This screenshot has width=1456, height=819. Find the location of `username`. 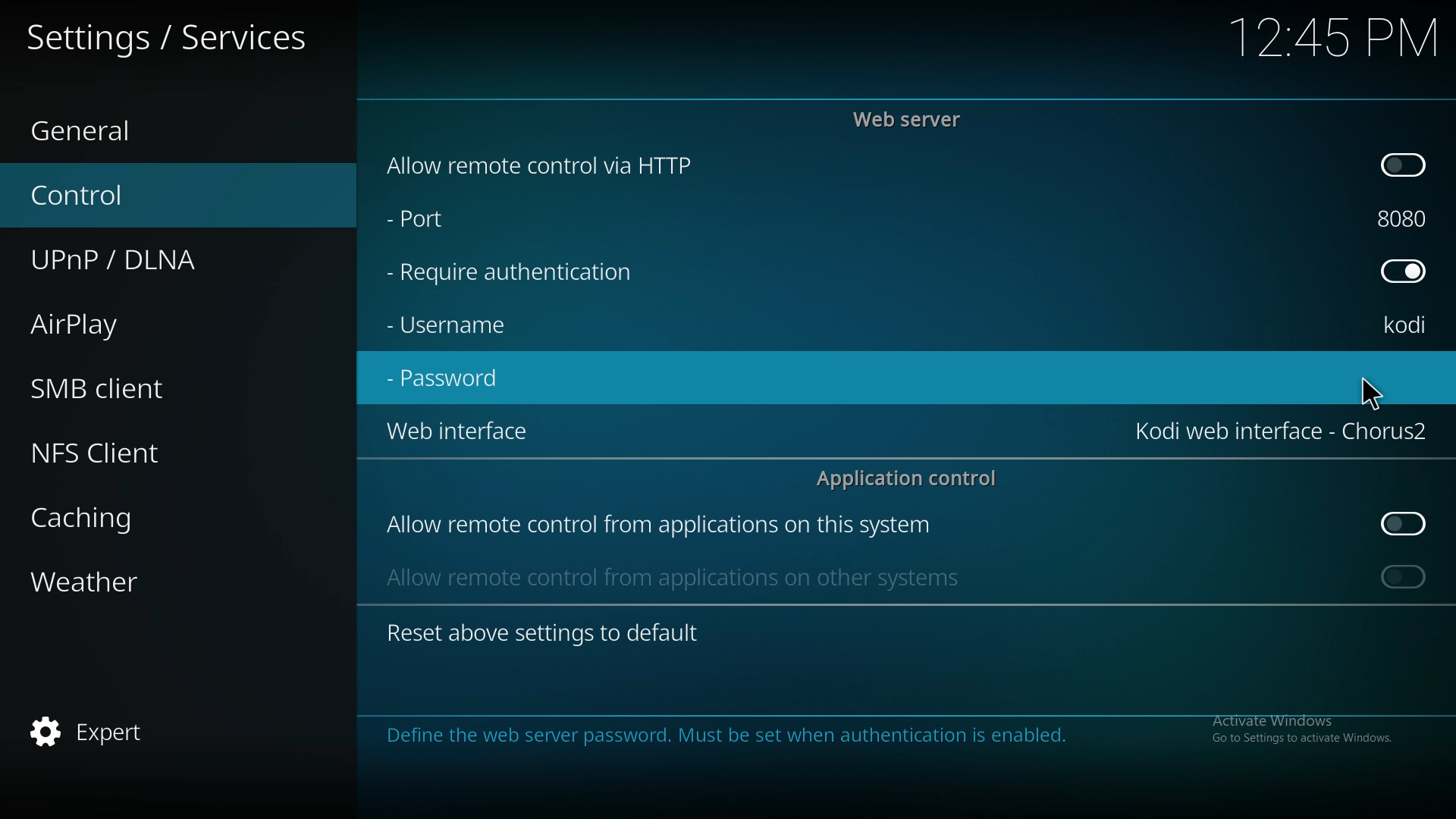

username is located at coordinates (449, 325).